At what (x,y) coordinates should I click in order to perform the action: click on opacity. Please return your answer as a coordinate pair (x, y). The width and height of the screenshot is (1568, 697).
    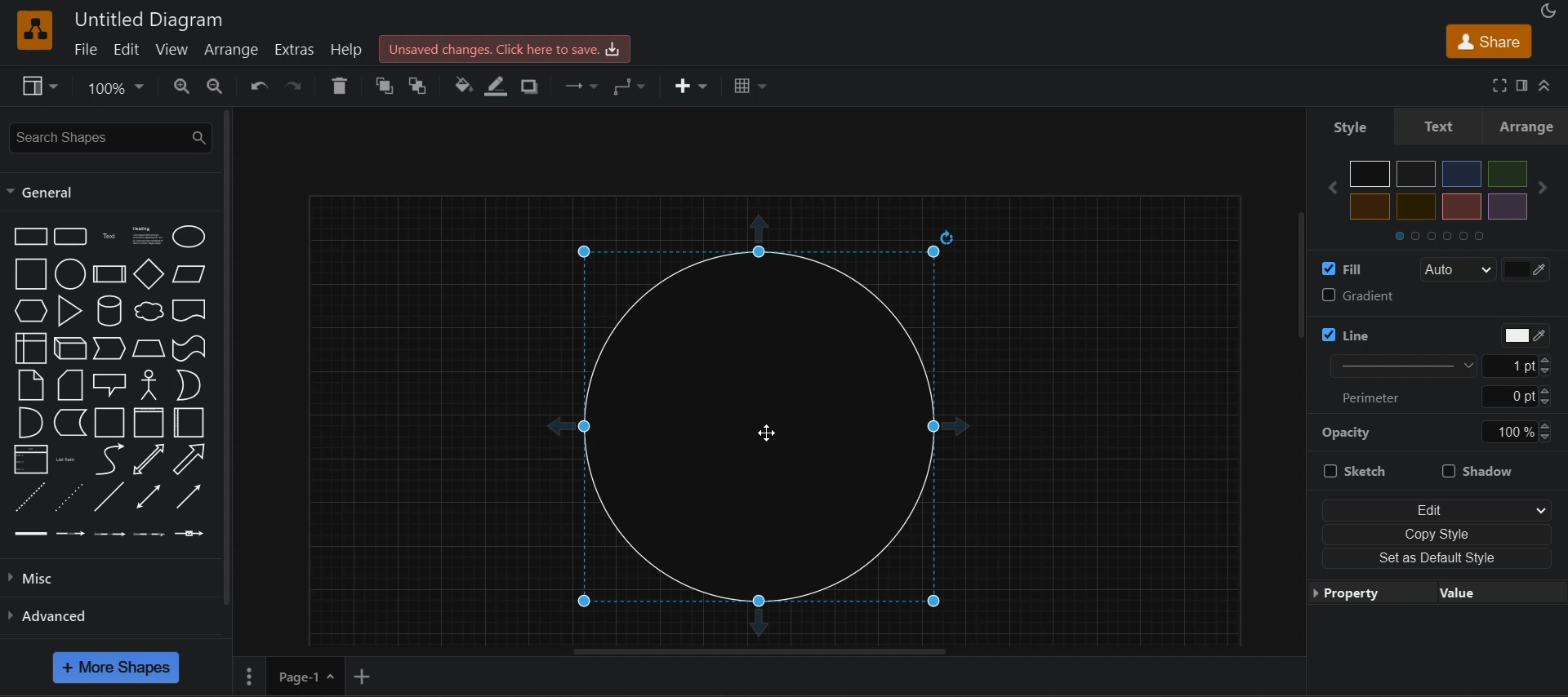
    Looking at the image, I should click on (1386, 435).